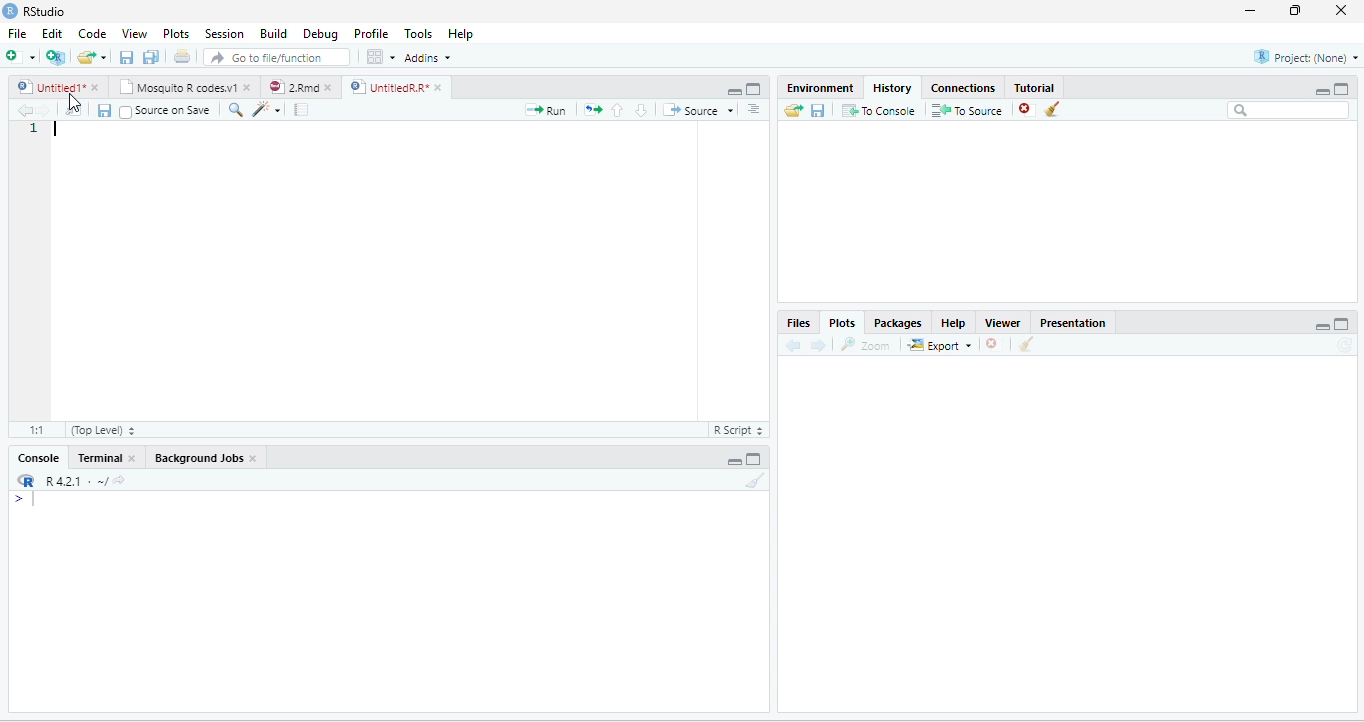 The width and height of the screenshot is (1364, 722). What do you see at coordinates (462, 33) in the screenshot?
I see `Help` at bounding box center [462, 33].